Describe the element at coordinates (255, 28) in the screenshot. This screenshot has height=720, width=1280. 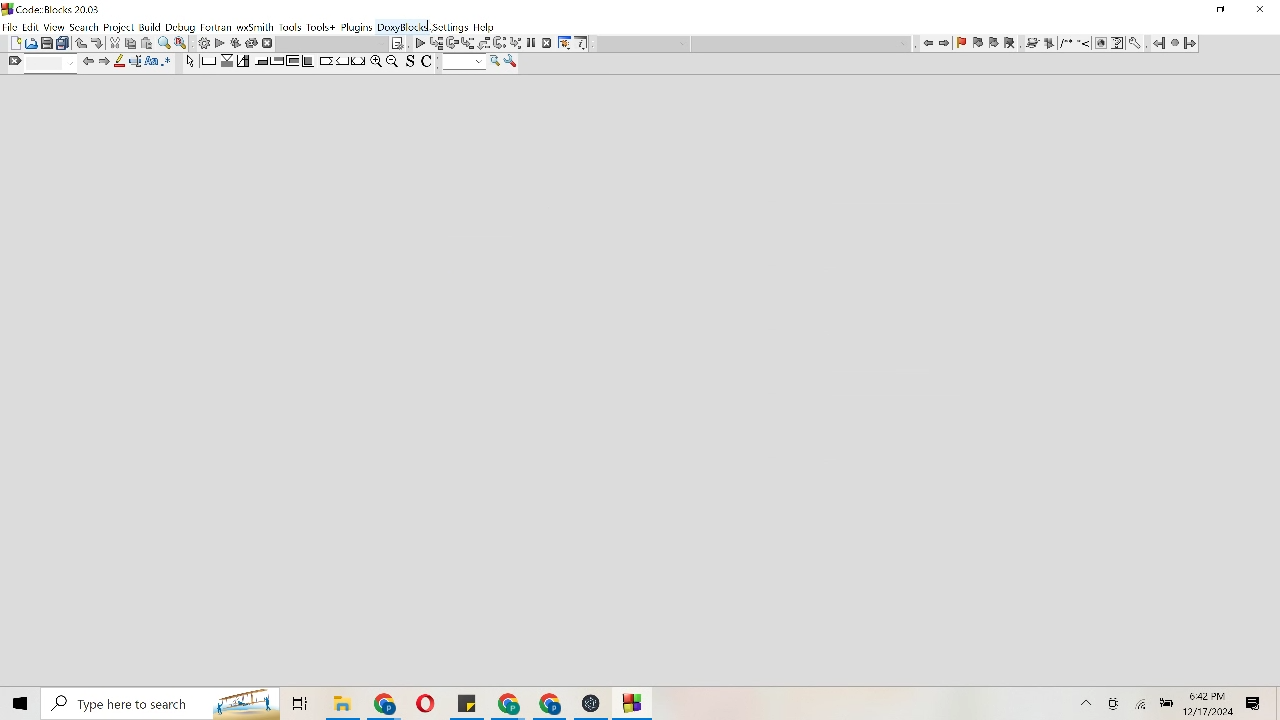
I see `wxsmith` at that location.